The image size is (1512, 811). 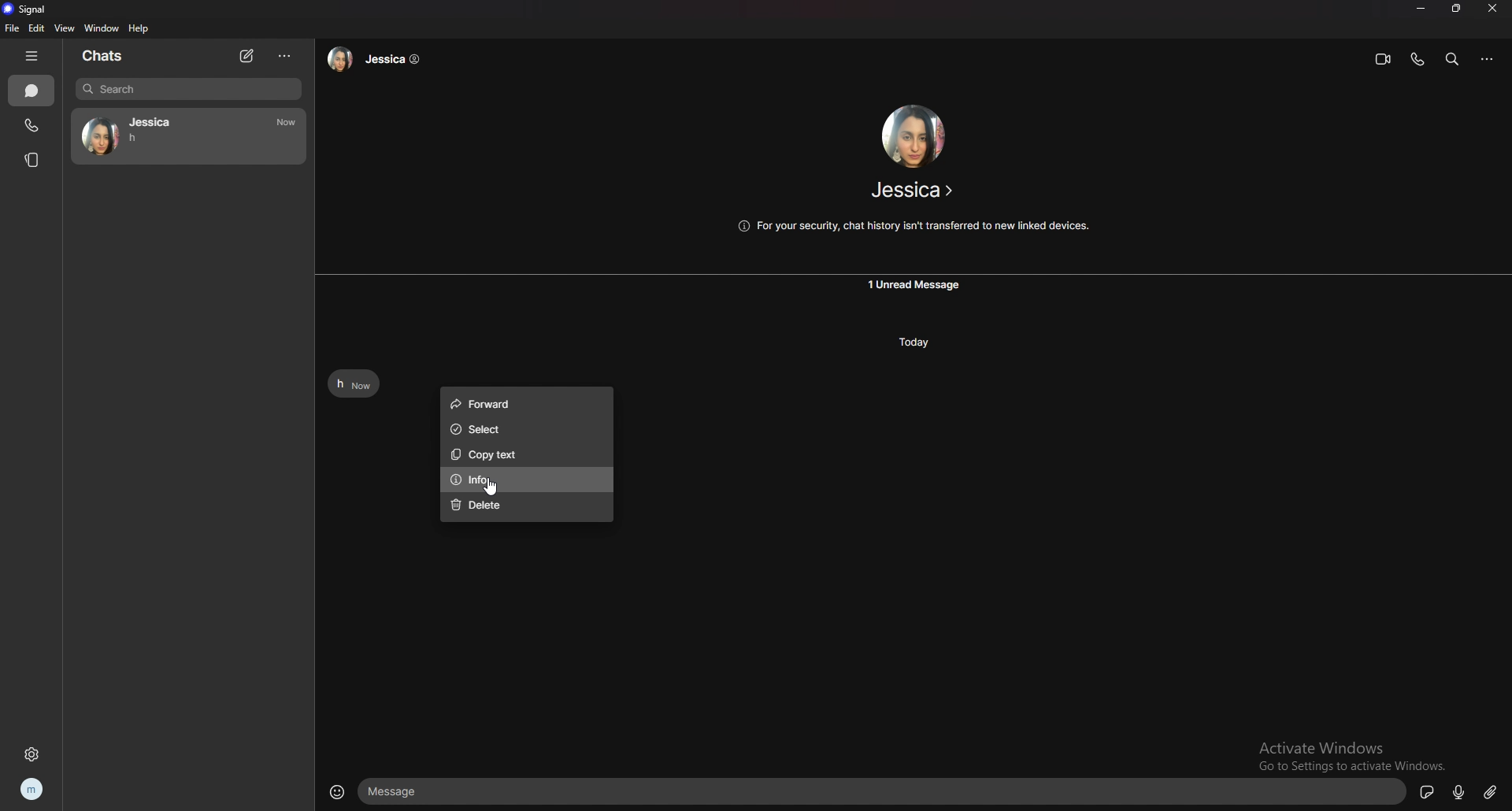 What do you see at coordinates (1417, 61) in the screenshot?
I see `voice call` at bounding box center [1417, 61].